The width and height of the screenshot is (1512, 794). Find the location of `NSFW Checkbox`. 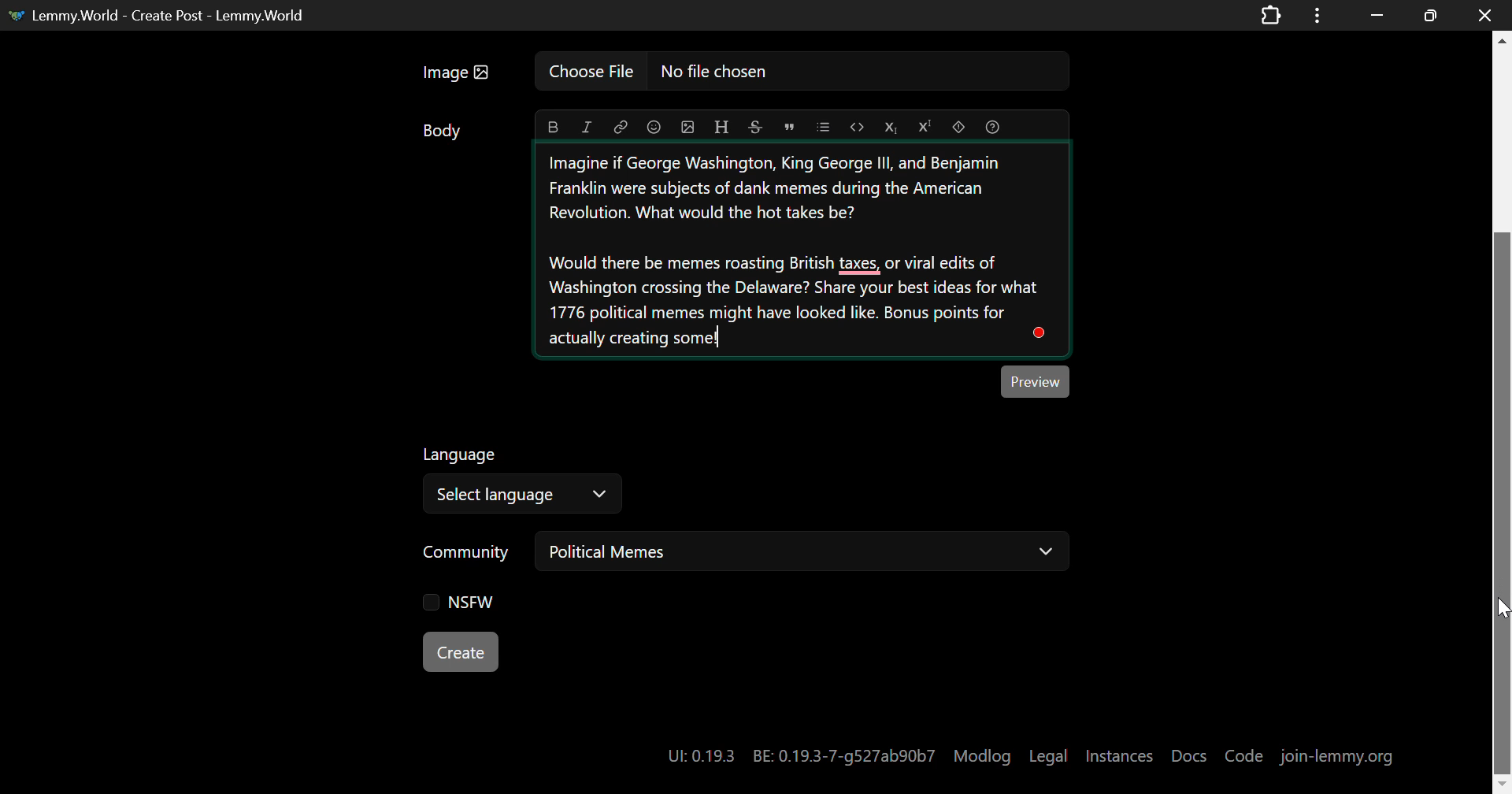

NSFW Checkbox is located at coordinates (463, 599).